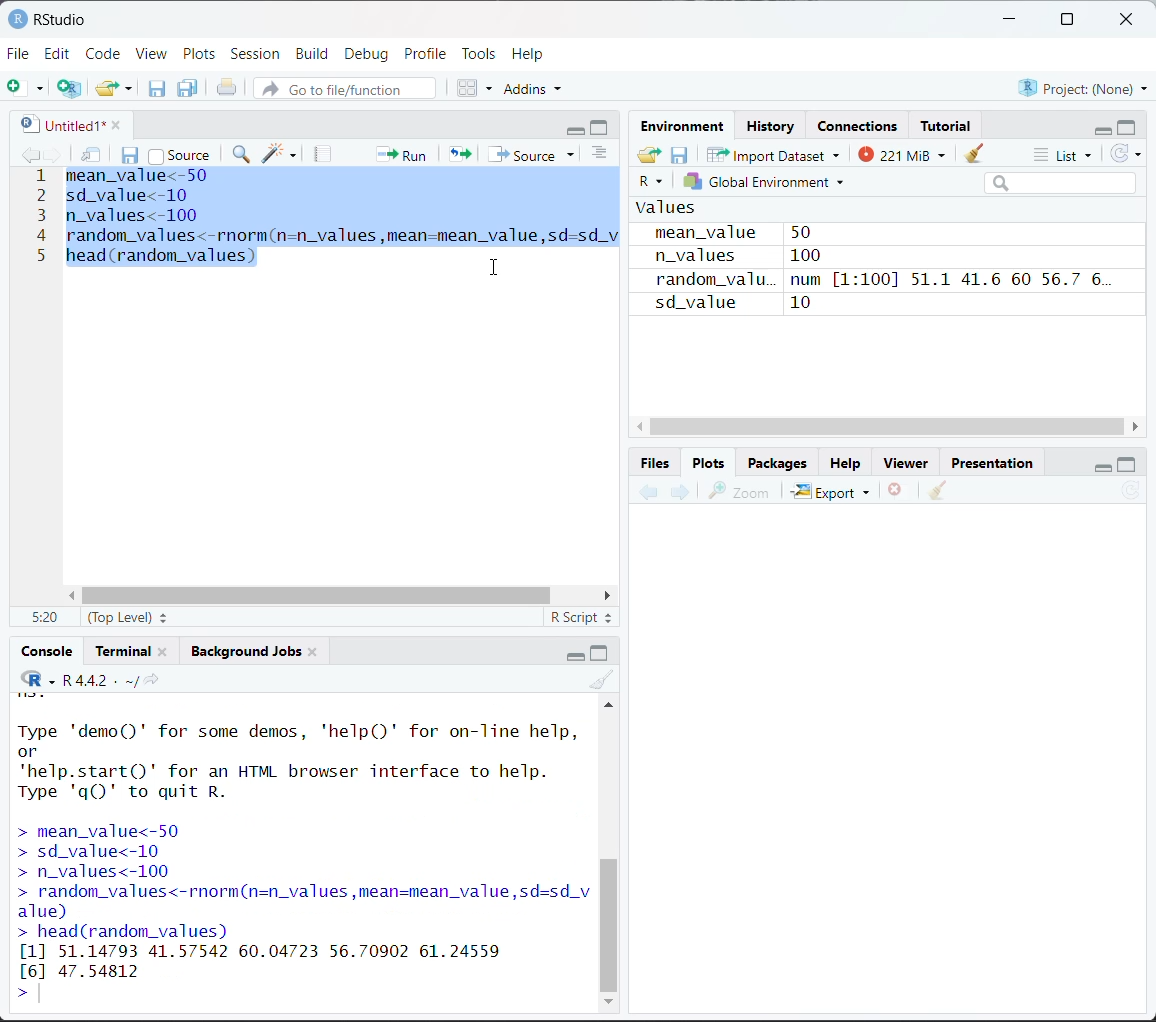 The width and height of the screenshot is (1156, 1022). I want to click on View, so click(152, 55).